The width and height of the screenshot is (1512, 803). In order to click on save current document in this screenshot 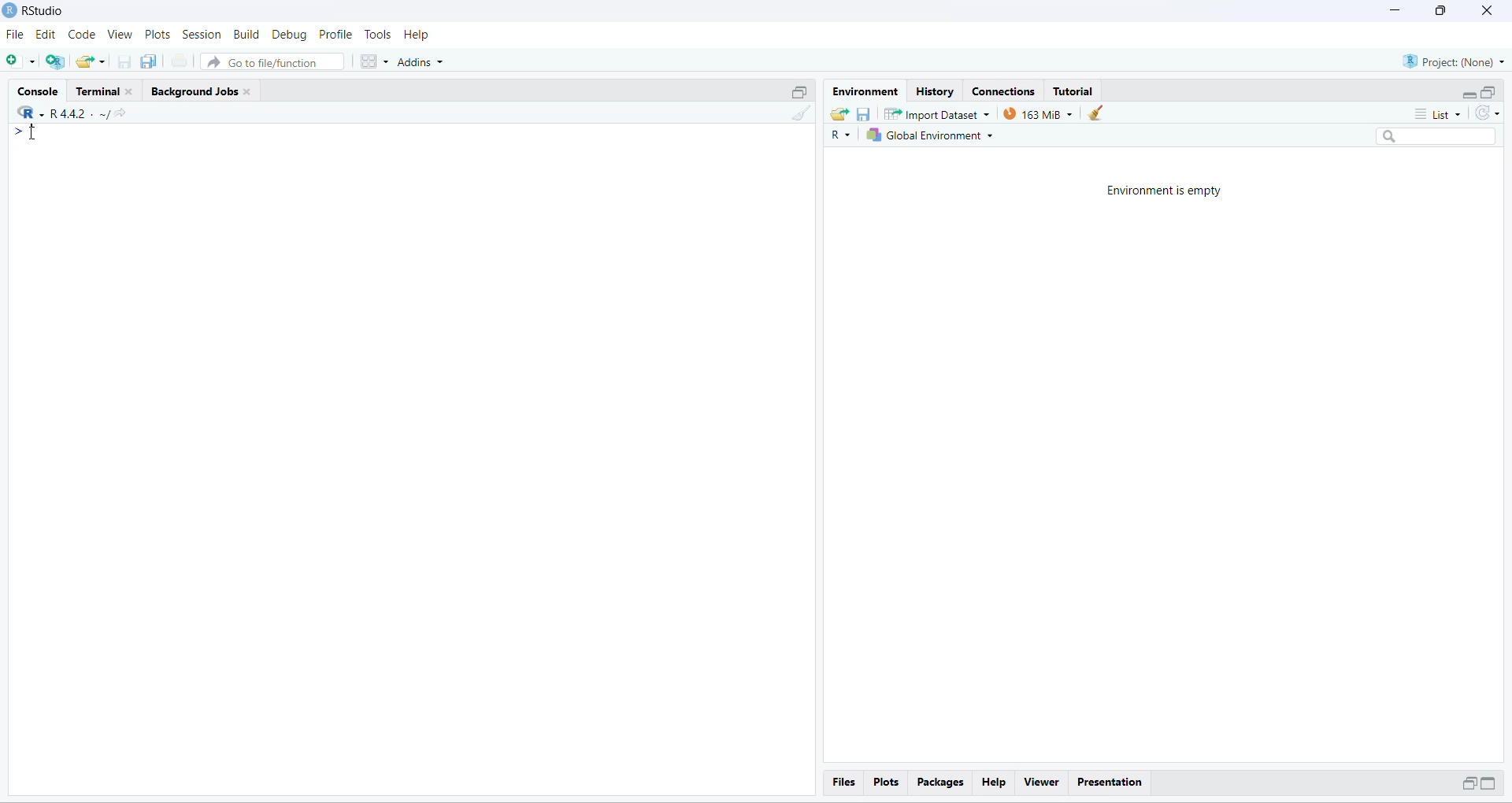, I will do `click(124, 62)`.